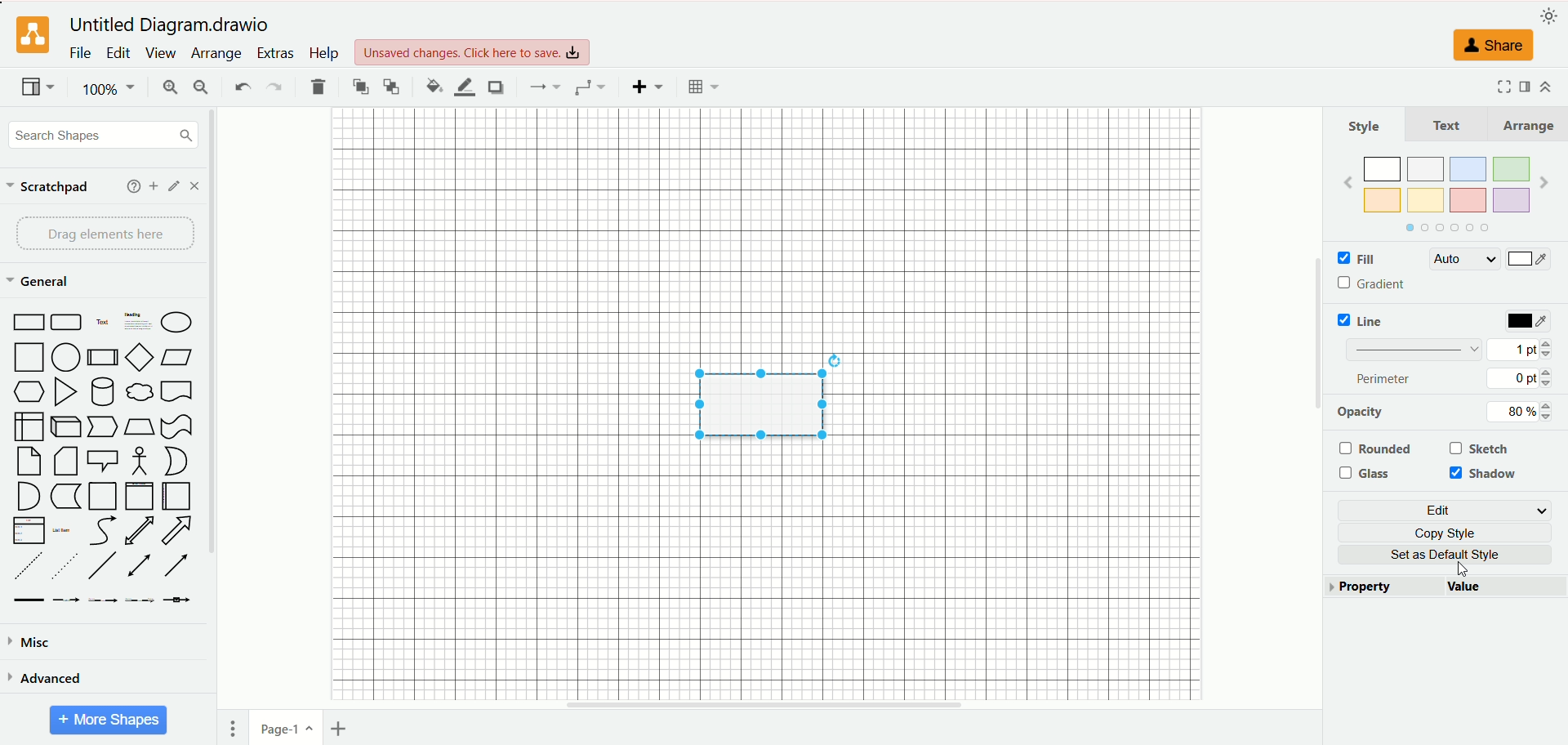 This screenshot has width=1568, height=745. Describe the element at coordinates (1549, 14) in the screenshot. I see `appearance` at that location.